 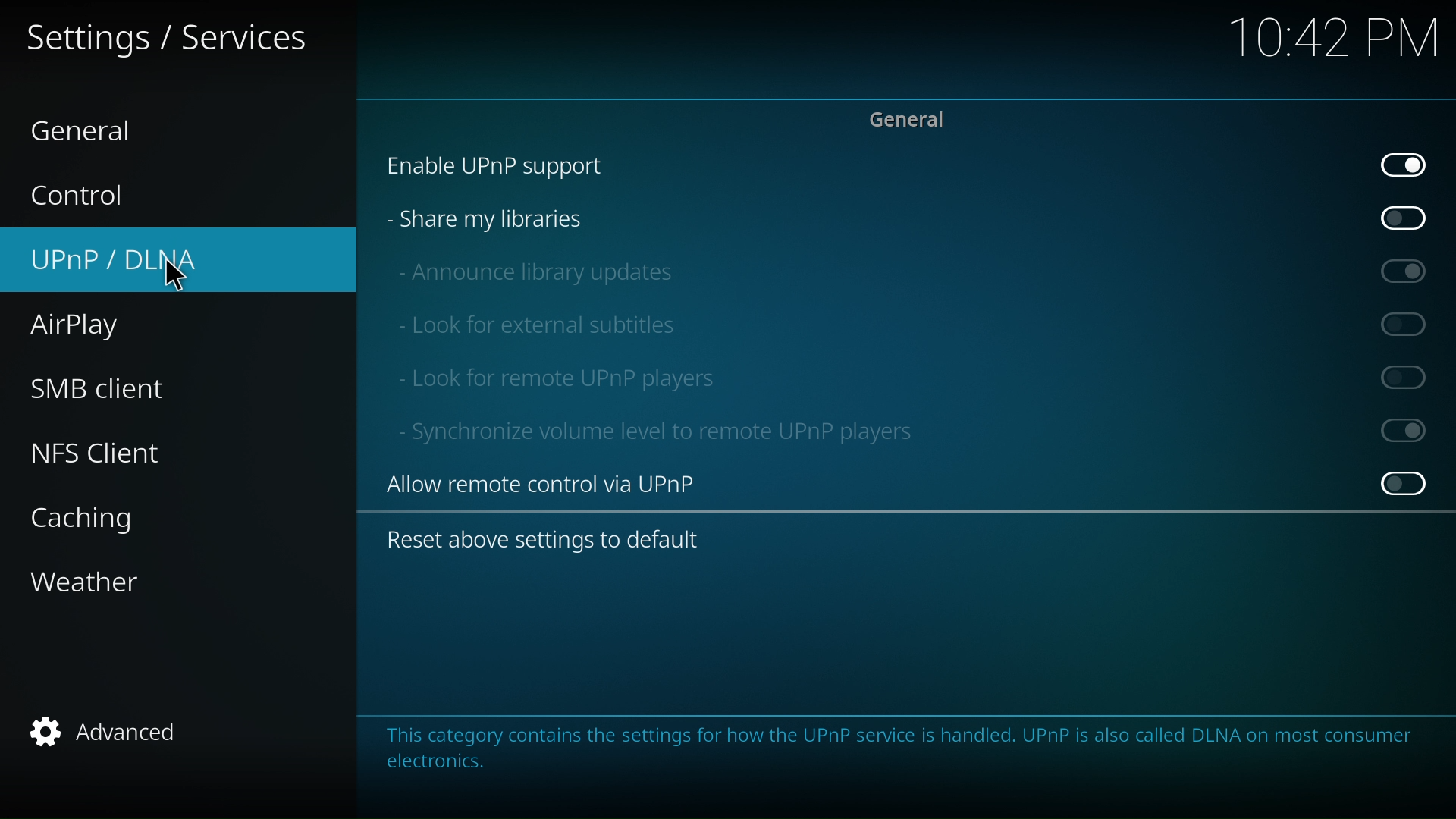 What do you see at coordinates (1332, 37) in the screenshot?
I see `10:42 PM` at bounding box center [1332, 37].